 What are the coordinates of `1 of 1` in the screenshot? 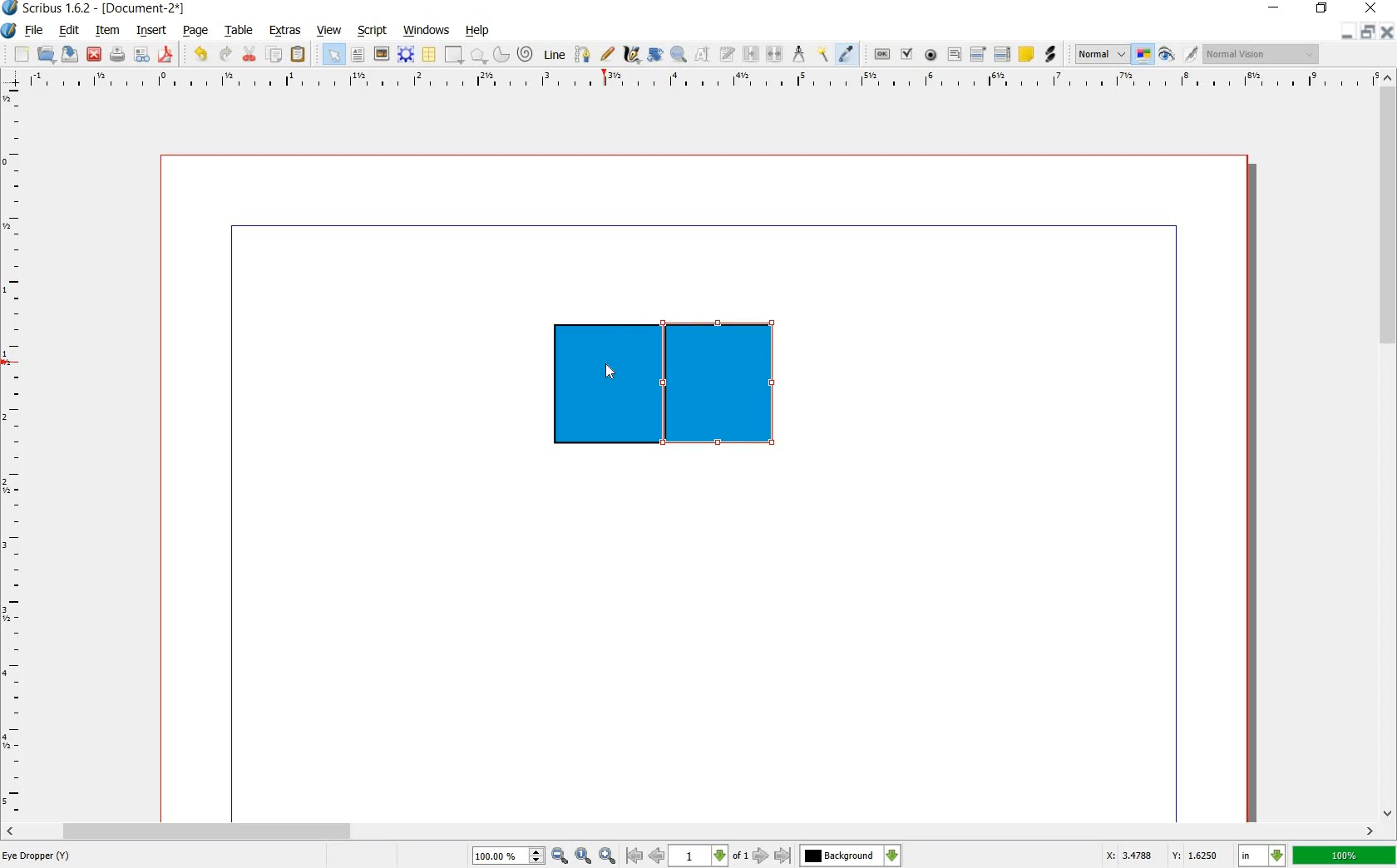 It's located at (710, 856).